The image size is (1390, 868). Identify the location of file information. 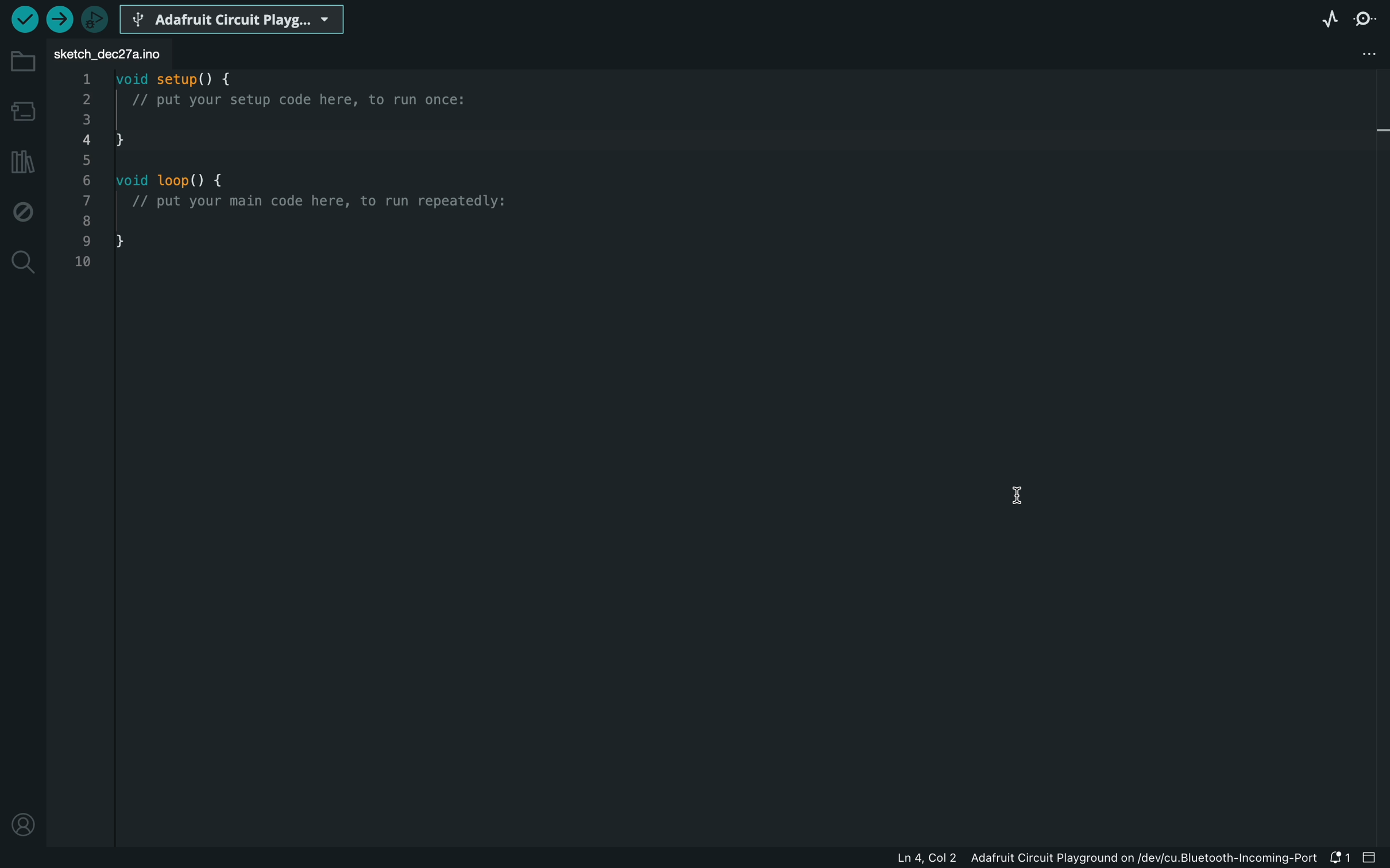
(1091, 857).